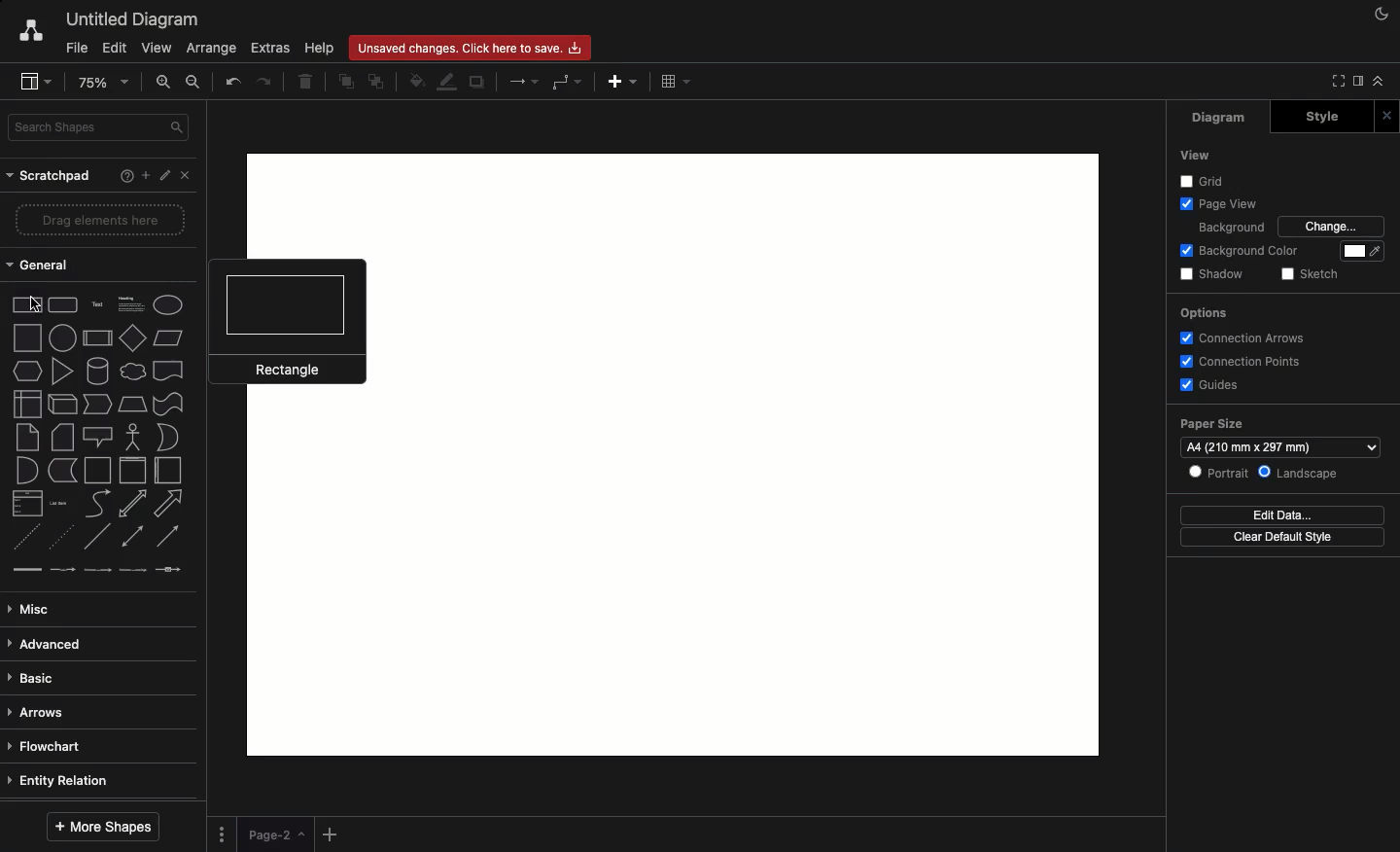  What do you see at coordinates (212, 49) in the screenshot?
I see `Arrange` at bounding box center [212, 49].